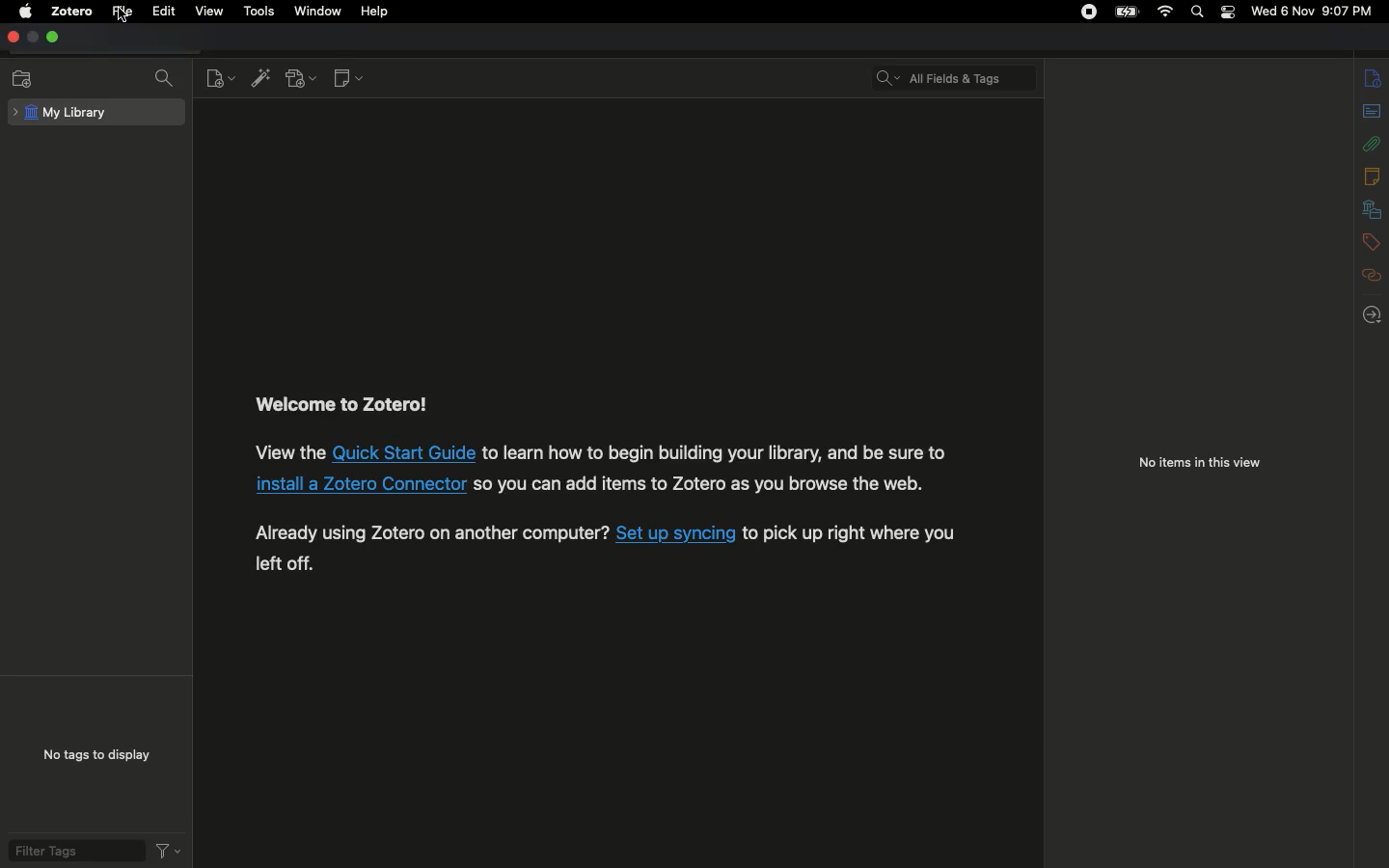  I want to click on Help, so click(377, 12).